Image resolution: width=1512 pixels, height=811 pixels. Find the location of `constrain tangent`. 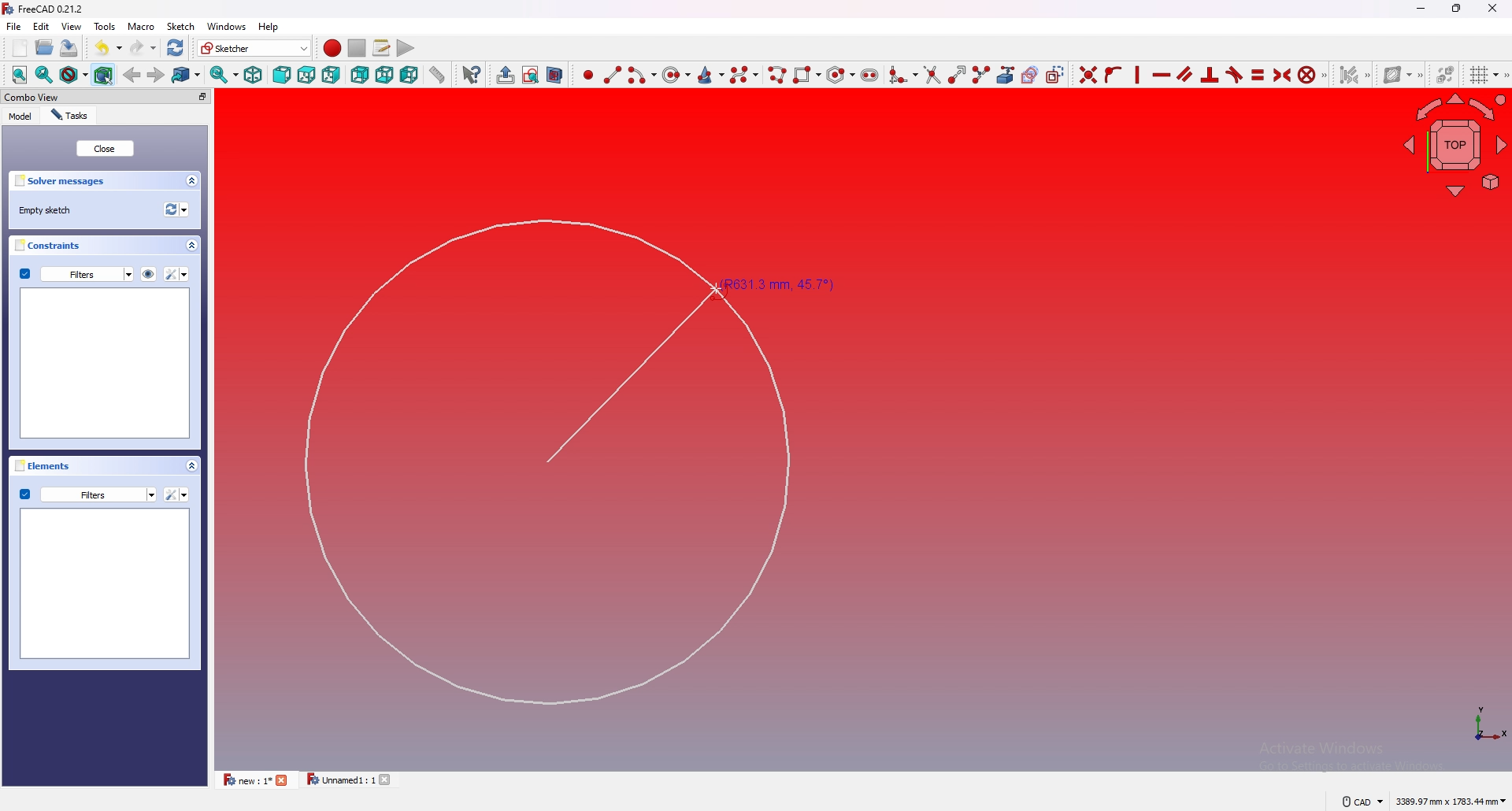

constrain tangent is located at coordinates (1235, 74).